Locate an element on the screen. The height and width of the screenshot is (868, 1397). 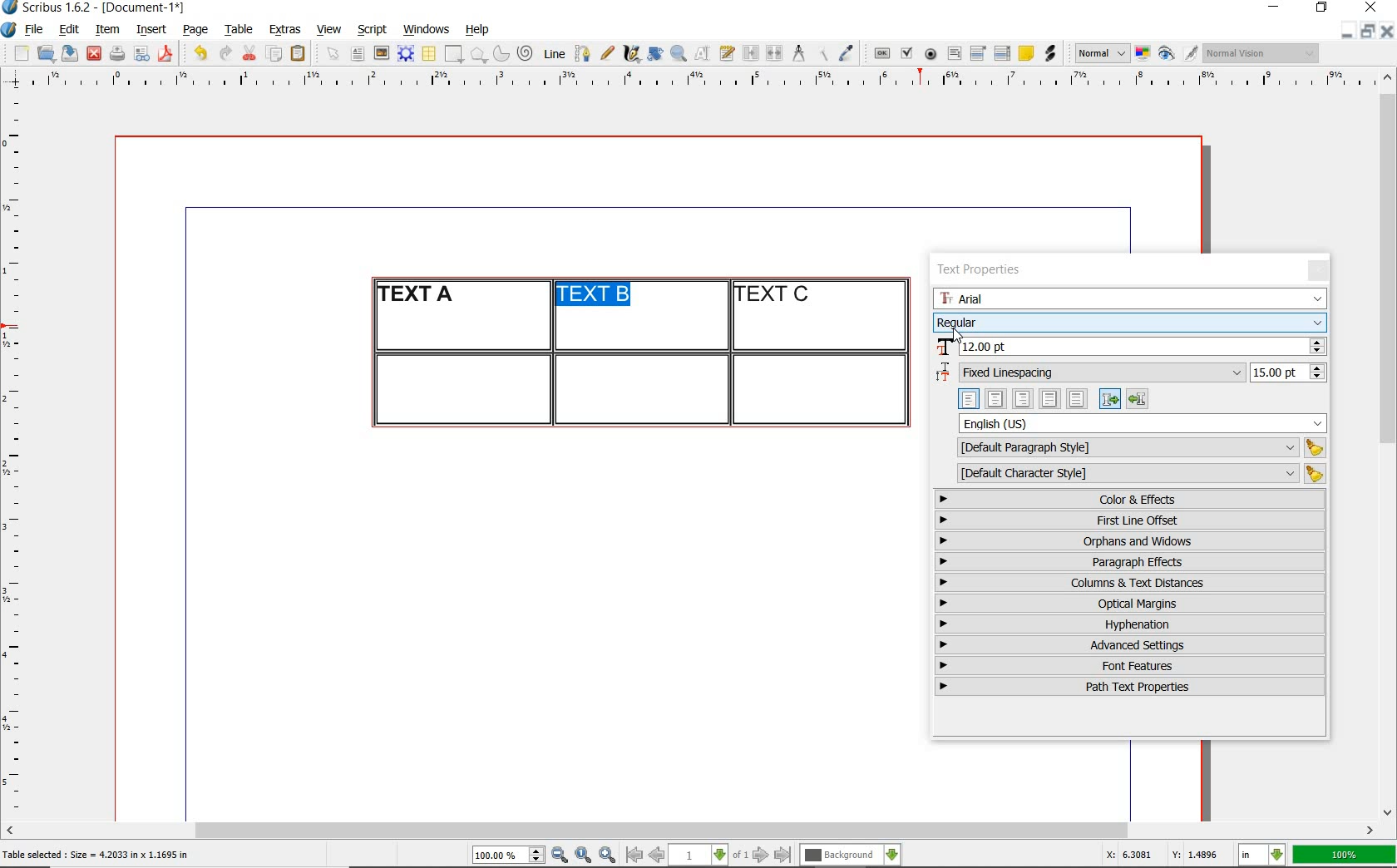
script is located at coordinates (372, 29).